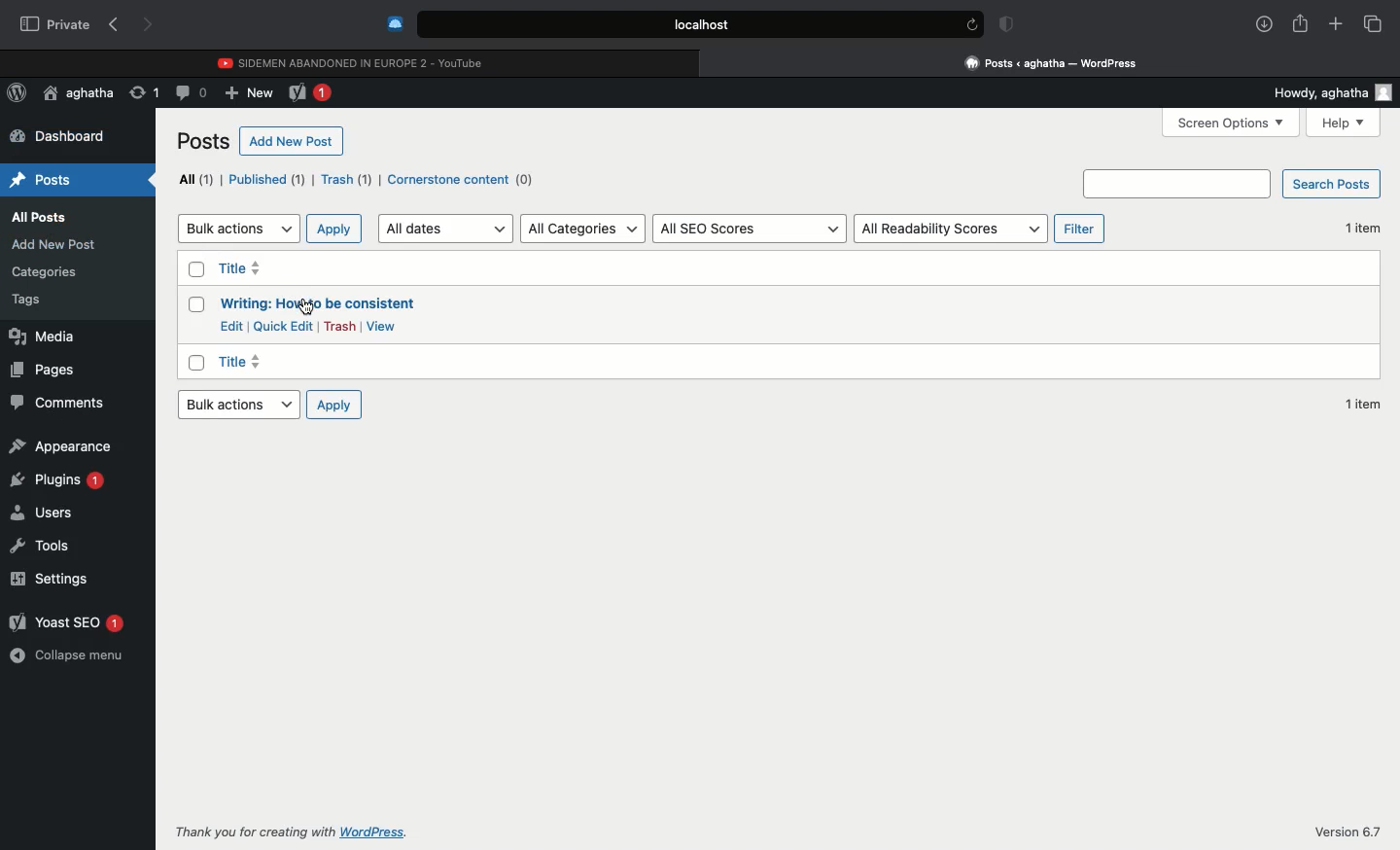 The width and height of the screenshot is (1400, 850). What do you see at coordinates (59, 245) in the screenshot?
I see `add new post` at bounding box center [59, 245].